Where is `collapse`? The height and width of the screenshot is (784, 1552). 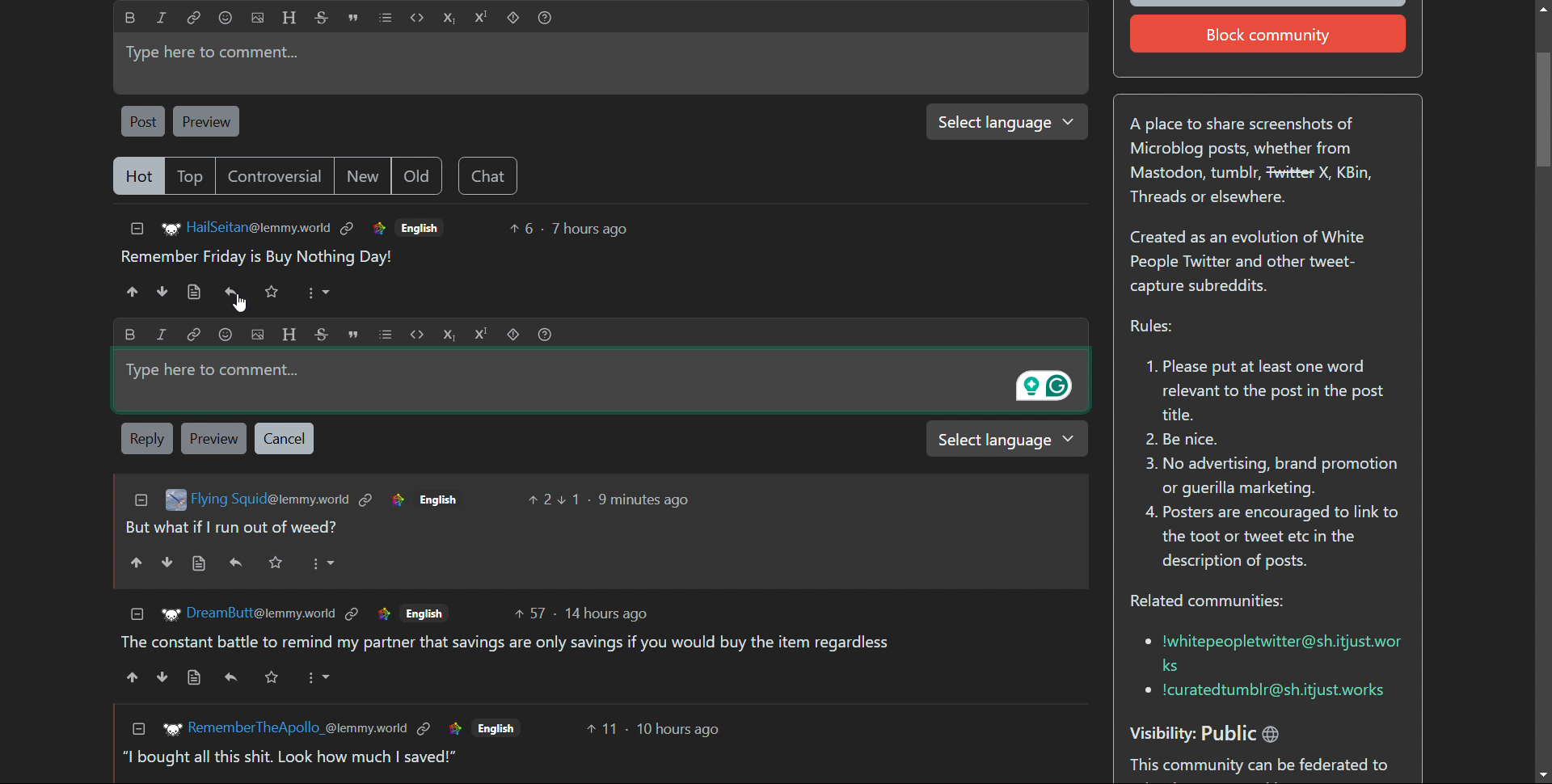
collapse is located at coordinates (137, 613).